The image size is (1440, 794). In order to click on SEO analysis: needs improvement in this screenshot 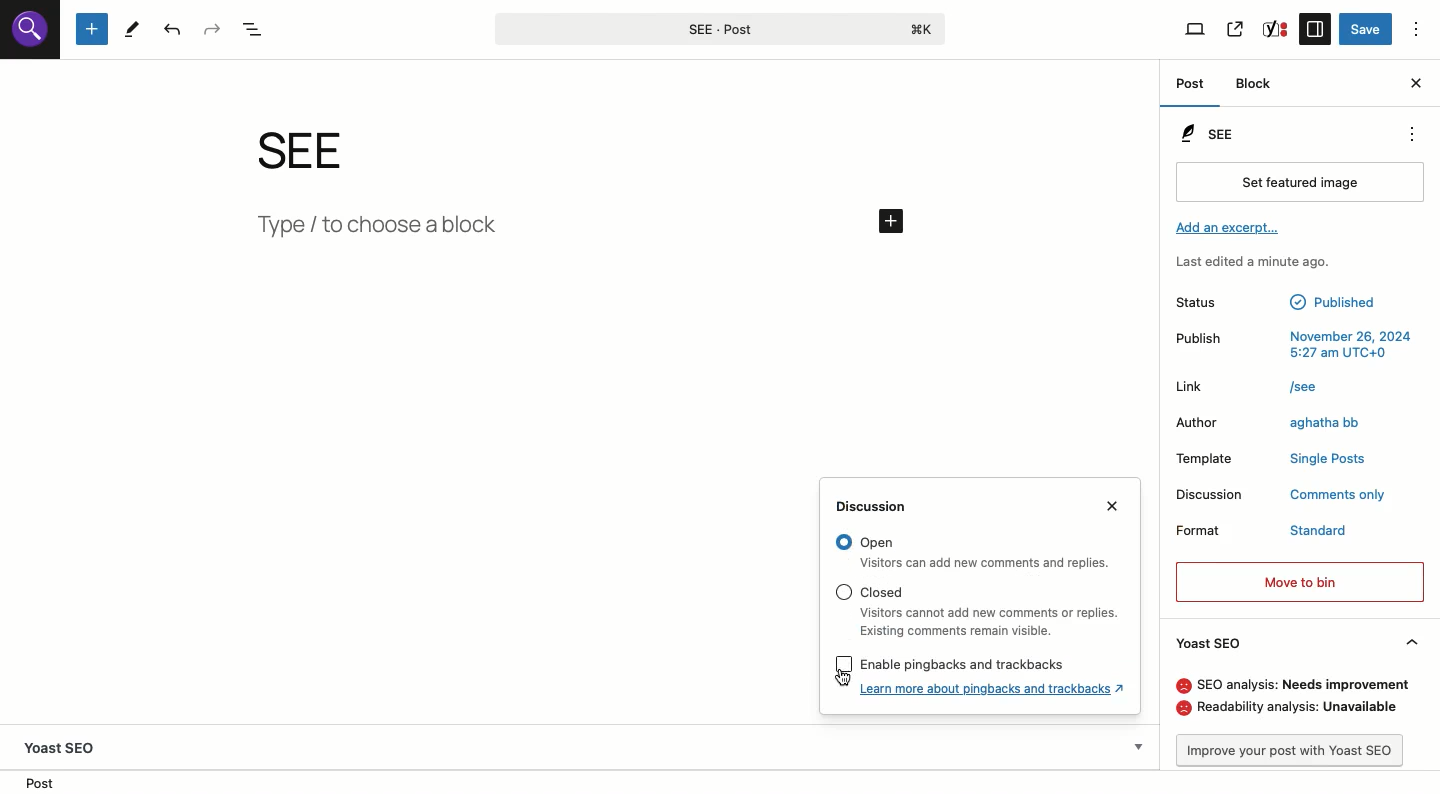, I will do `click(1291, 684)`.